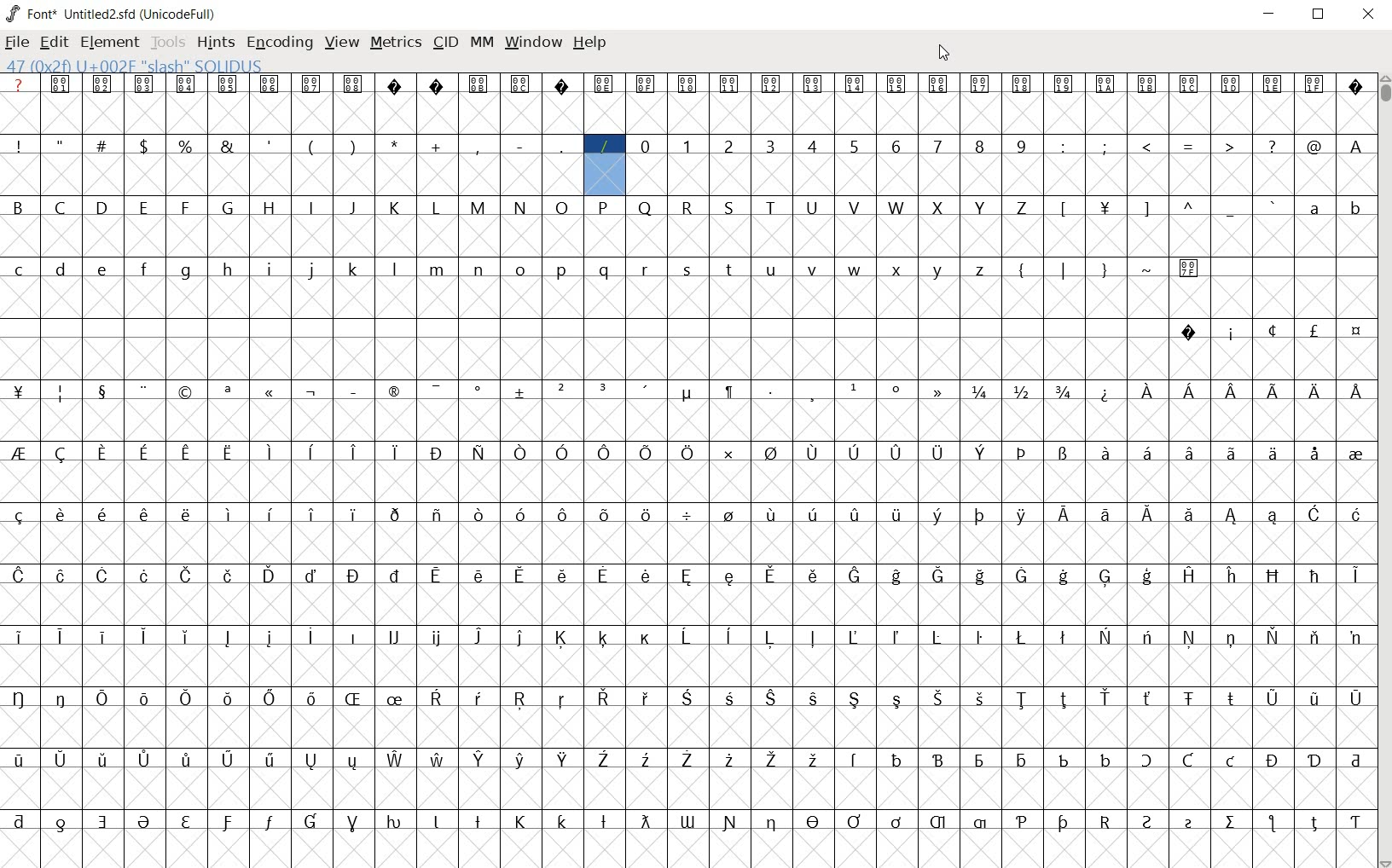 The image size is (1392, 868). I want to click on glyph, so click(478, 453).